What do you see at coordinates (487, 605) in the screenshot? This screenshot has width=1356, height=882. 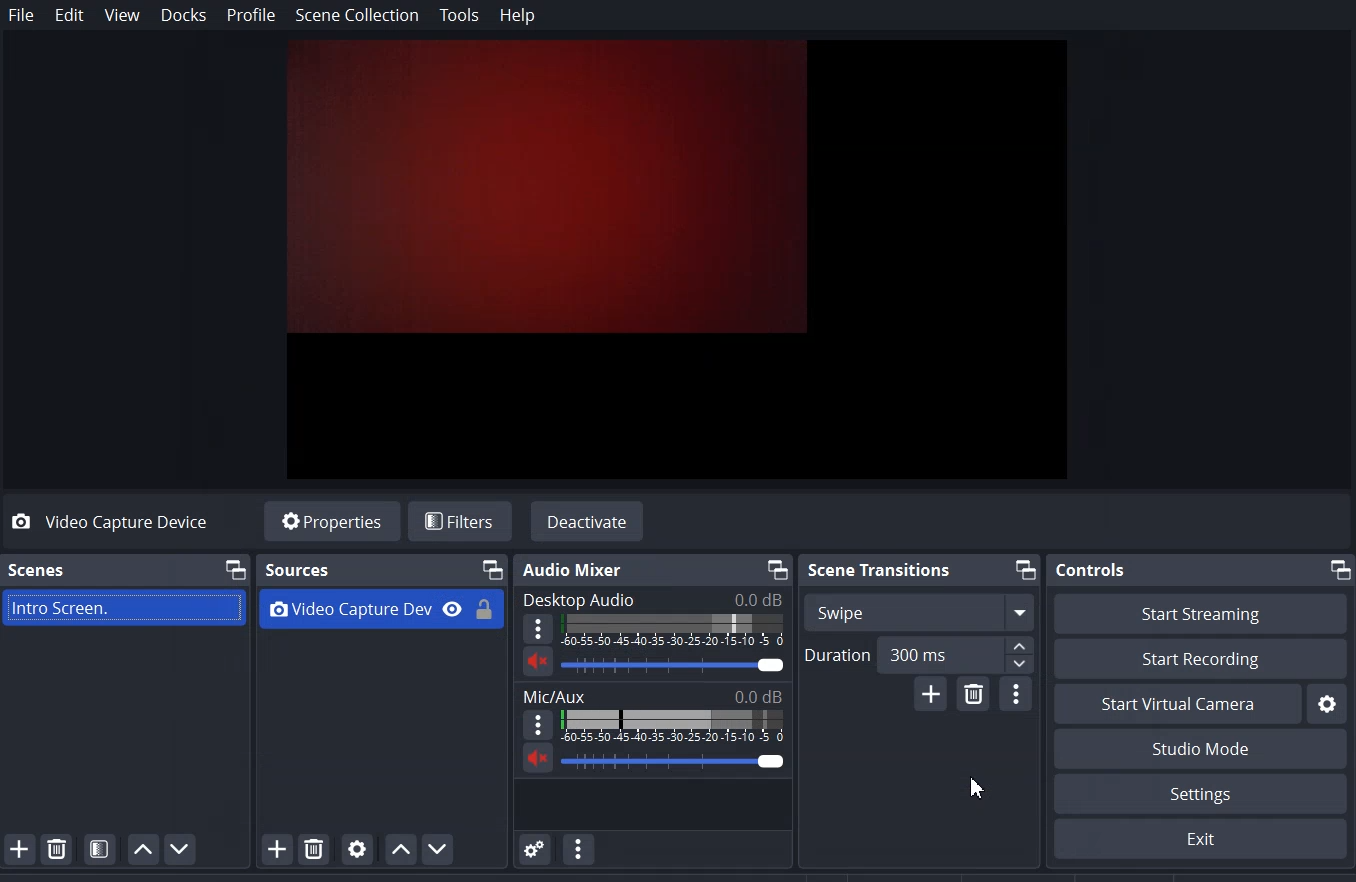 I see `Locak` at bounding box center [487, 605].